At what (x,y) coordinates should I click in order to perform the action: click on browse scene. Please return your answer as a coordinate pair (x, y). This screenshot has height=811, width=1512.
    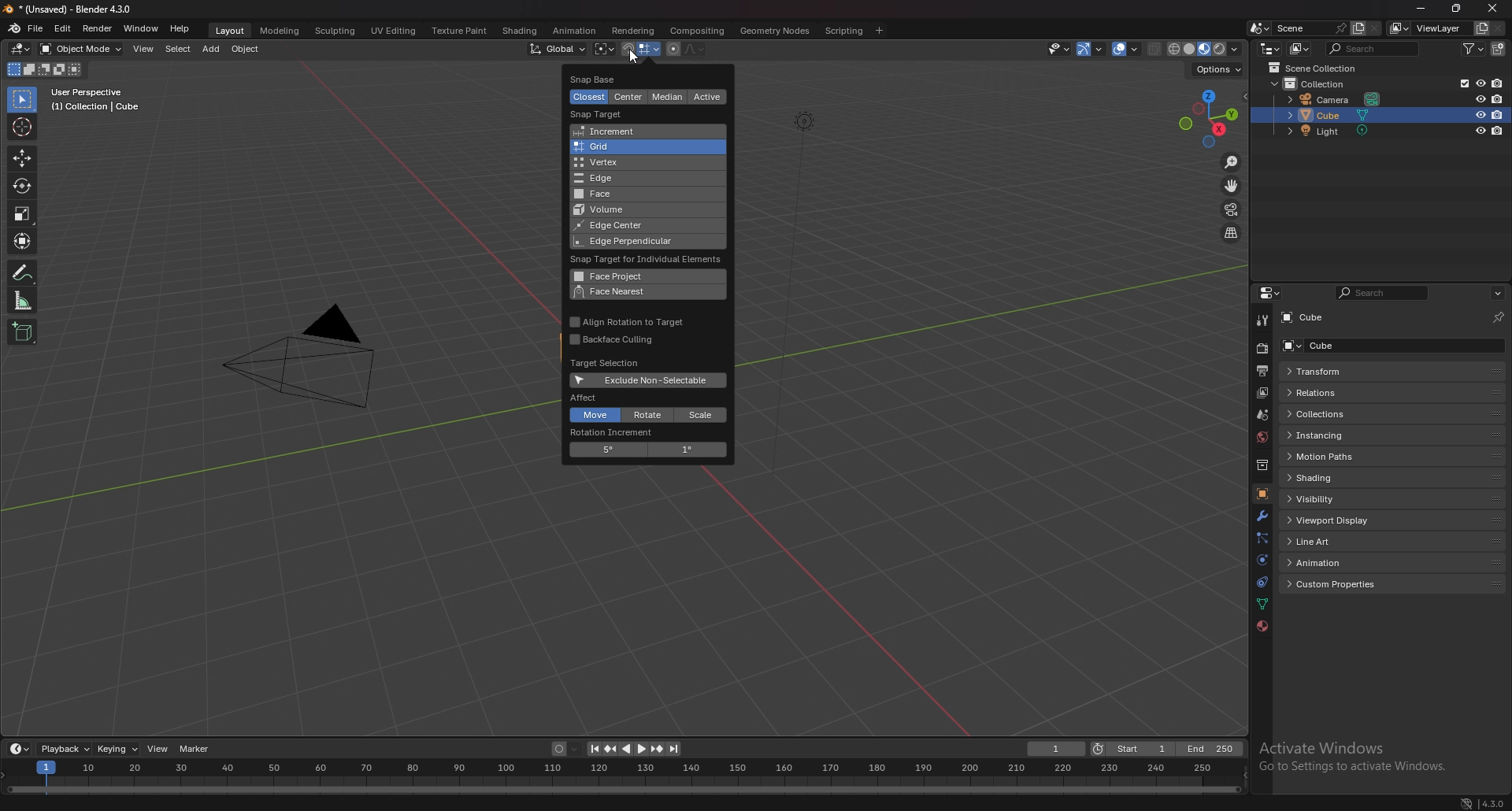
    Looking at the image, I should click on (1260, 28).